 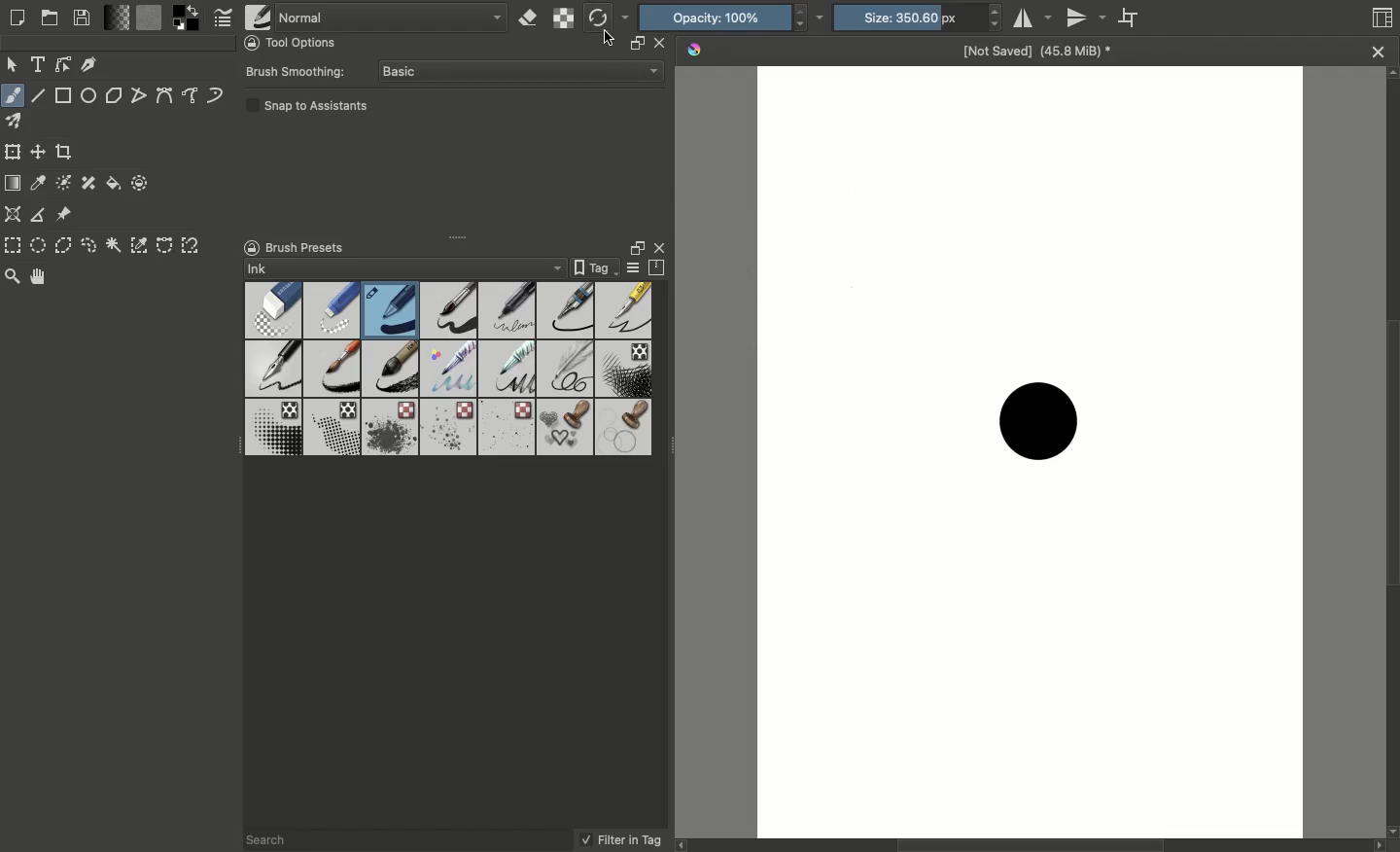 What do you see at coordinates (15, 245) in the screenshot?
I see `Rectangular selection tool` at bounding box center [15, 245].